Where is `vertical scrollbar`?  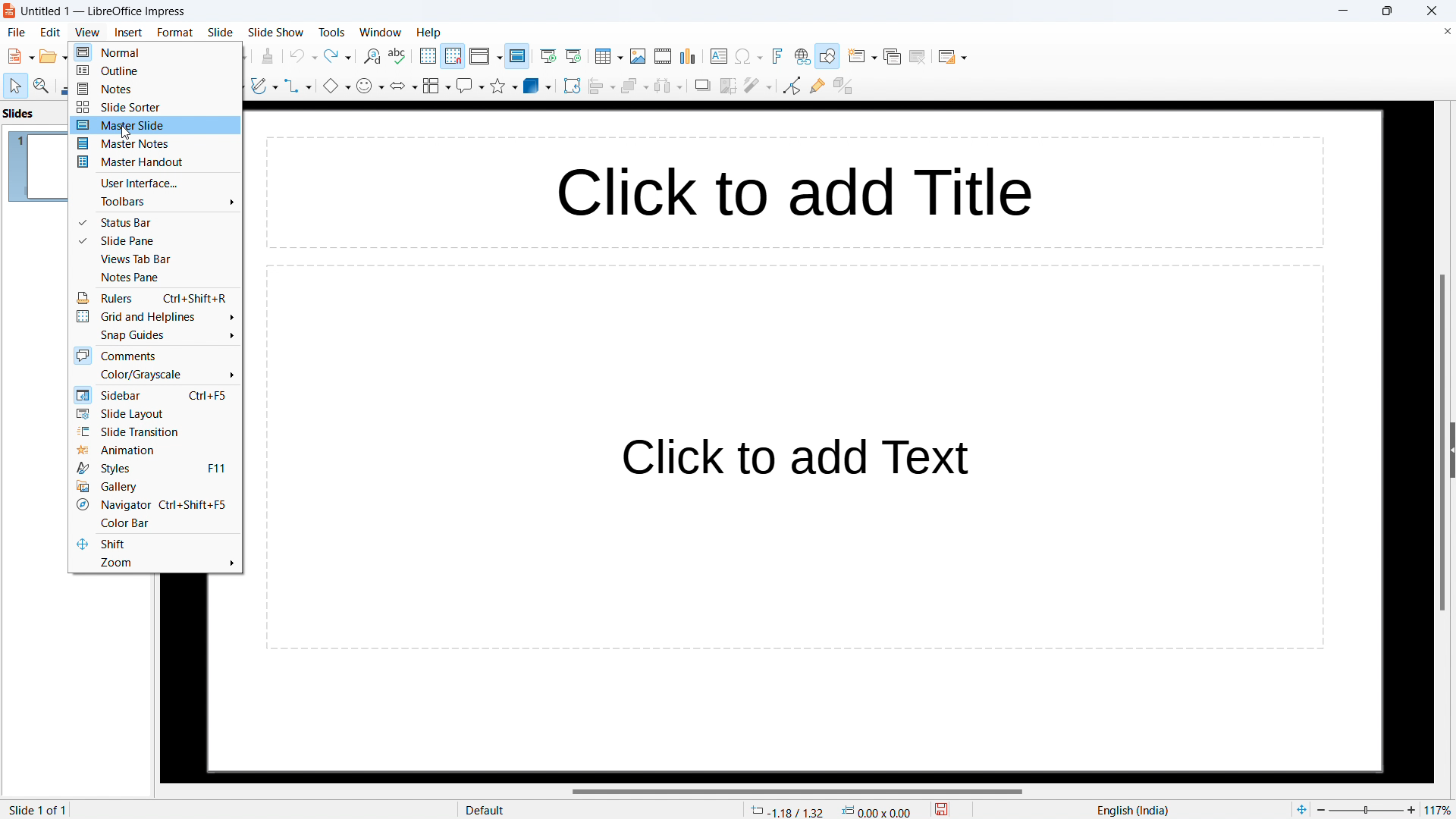
vertical scrollbar is located at coordinates (1440, 443).